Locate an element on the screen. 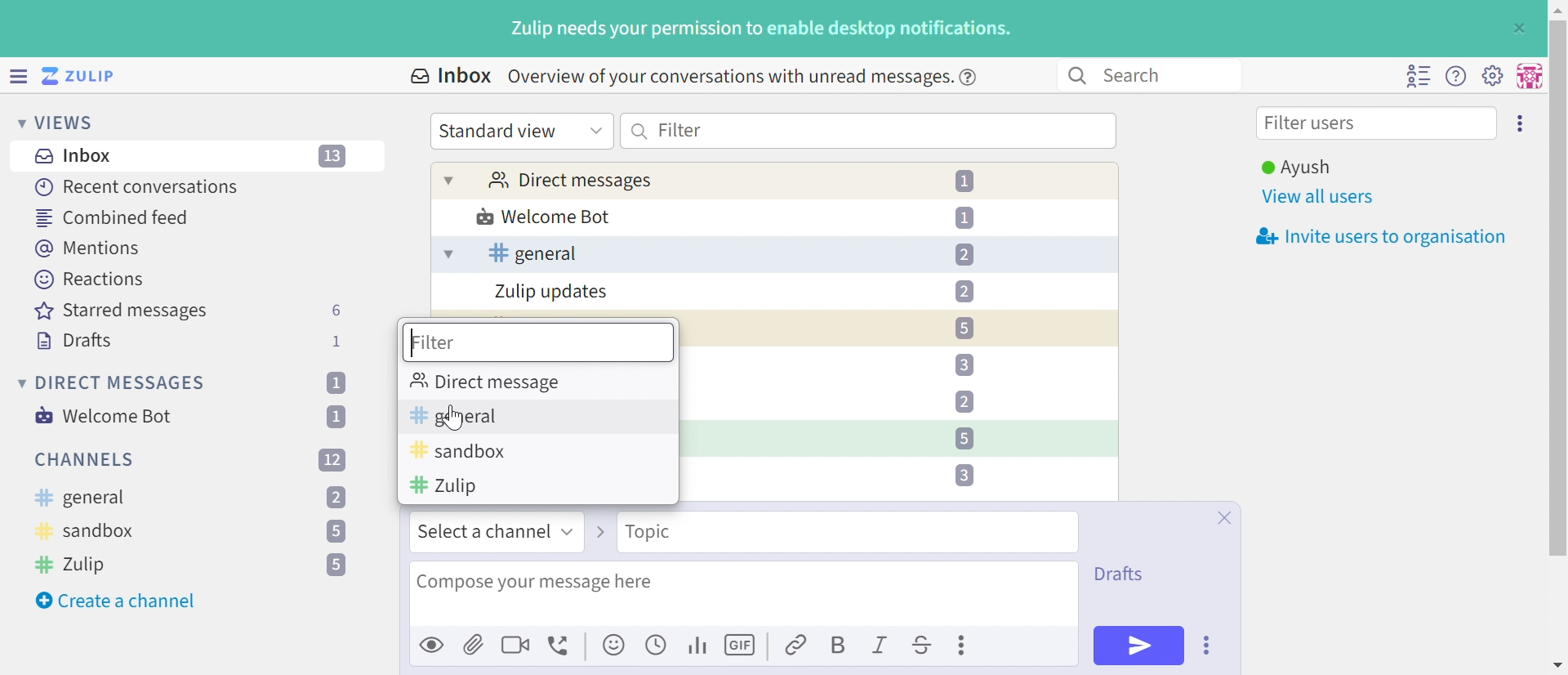 The width and height of the screenshot is (1568, 675). 1 is located at coordinates (335, 382).